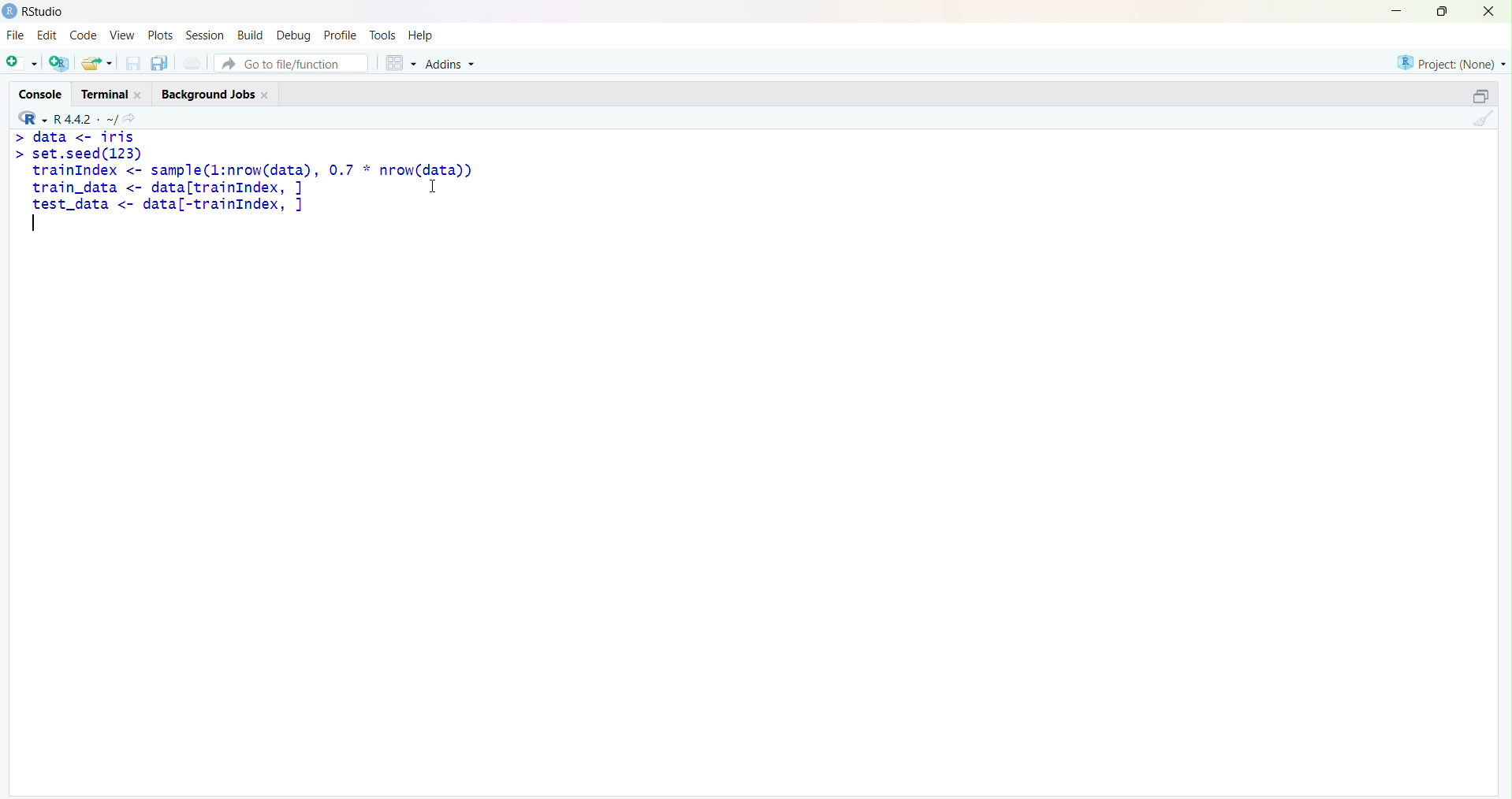 This screenshot has width=1512, height=799. What do you see at coordinates (85, 136) in the screenshot?
I see `data <- iris` at bounding box center [85, 136].